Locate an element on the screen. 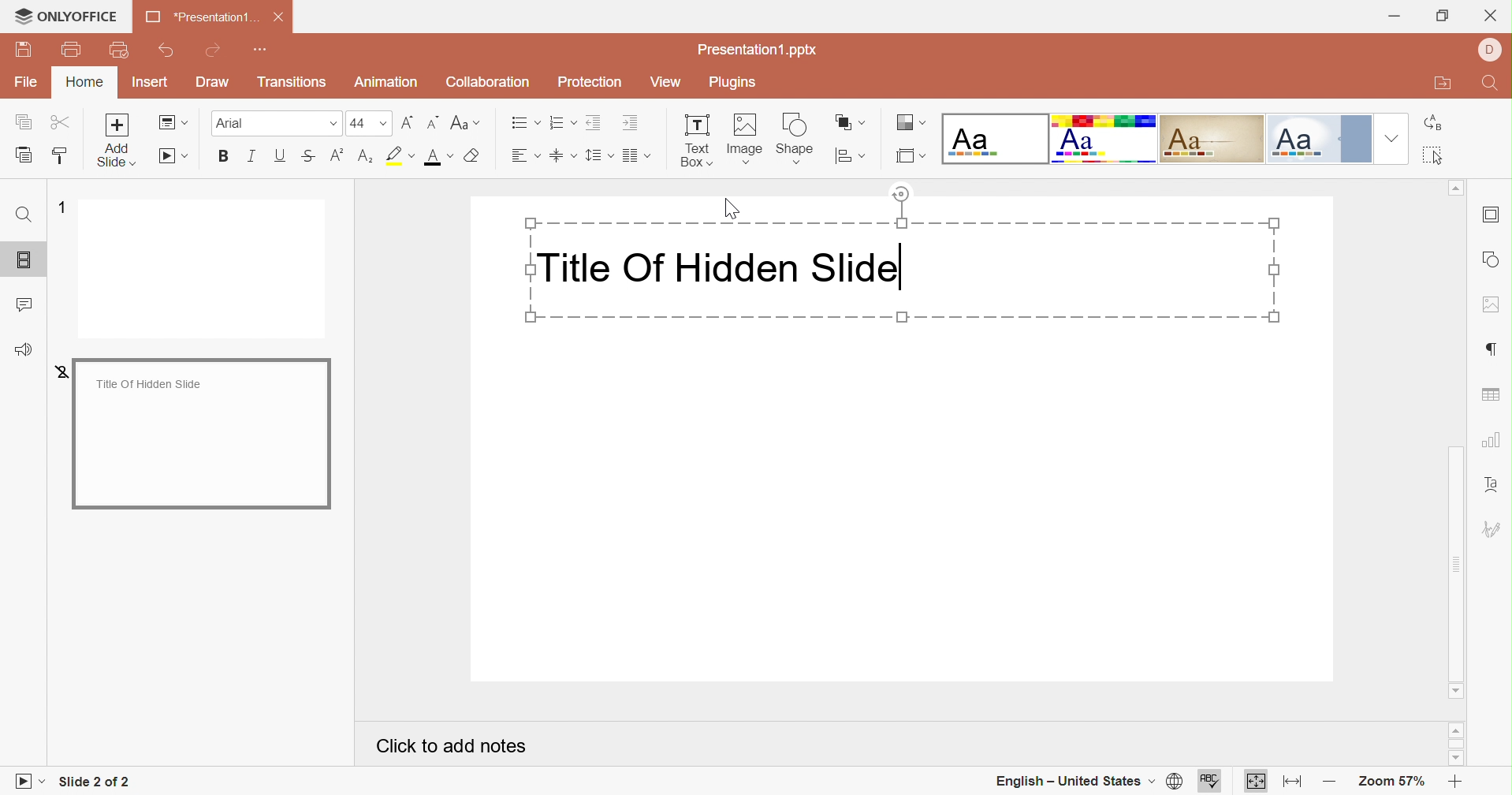  Comments is located at coordinates (27, 304).